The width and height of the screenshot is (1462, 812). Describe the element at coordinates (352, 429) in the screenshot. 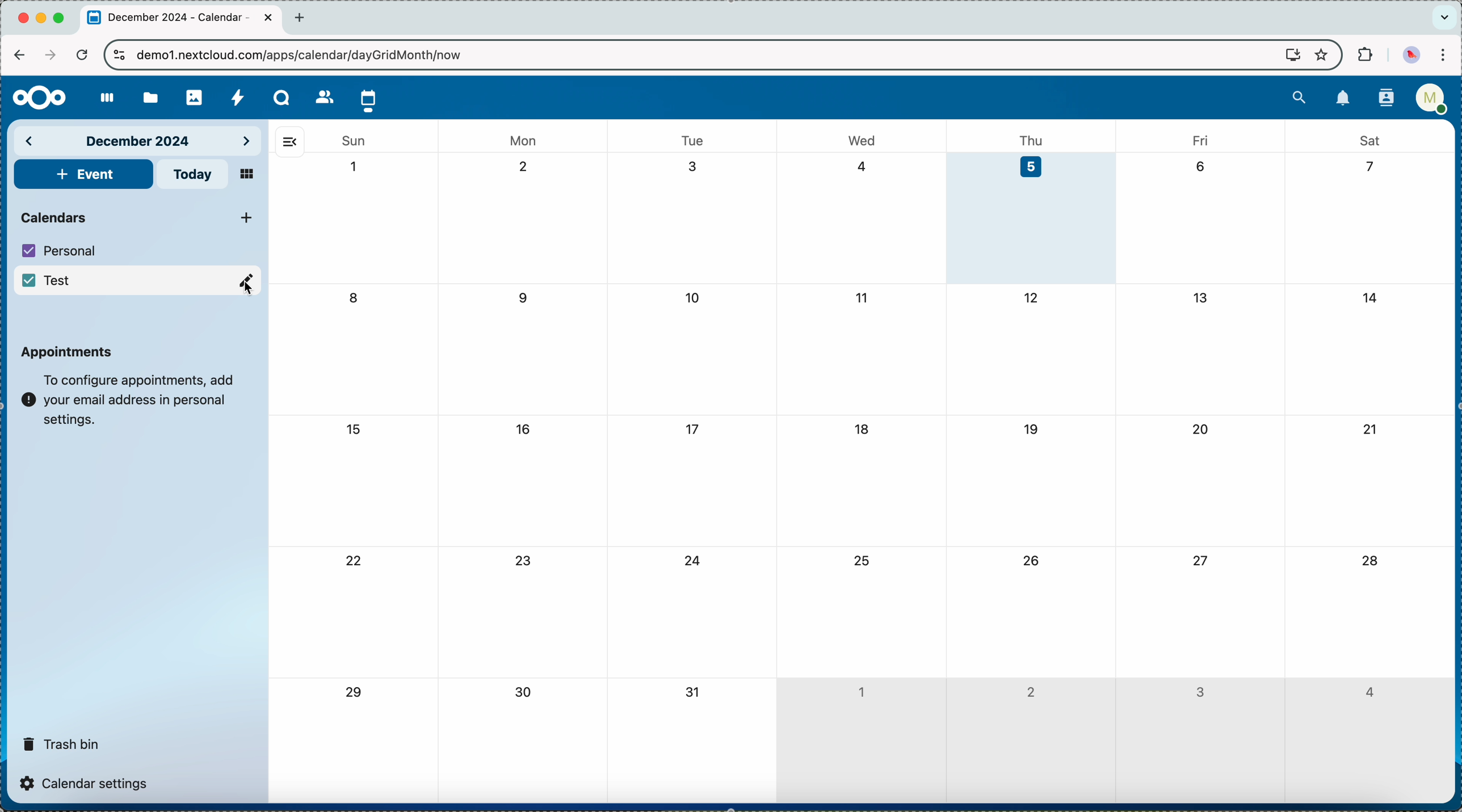

I see `15` at that location.